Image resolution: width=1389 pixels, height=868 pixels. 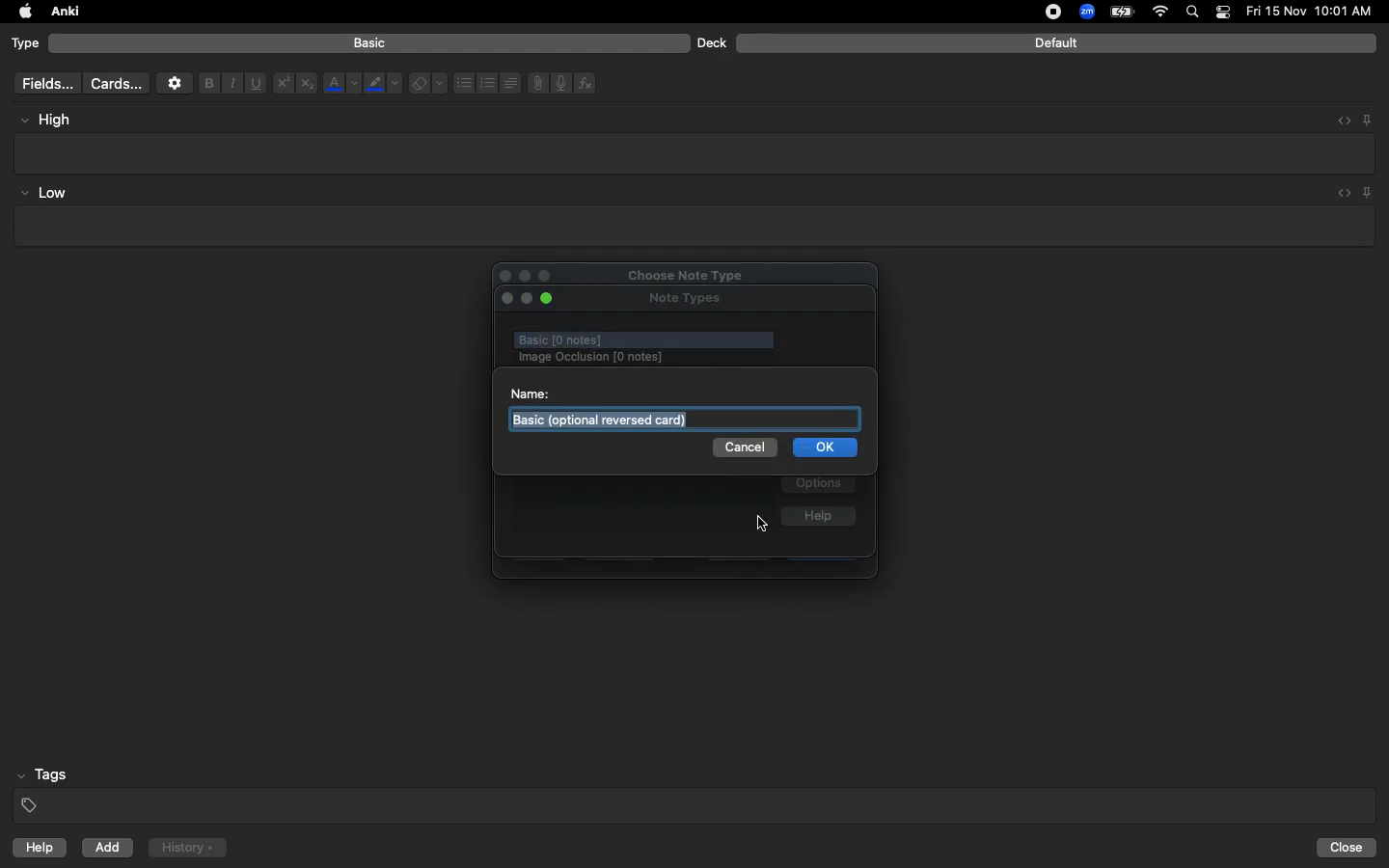 I want to click on Bullet, so click(x=463, y=83).